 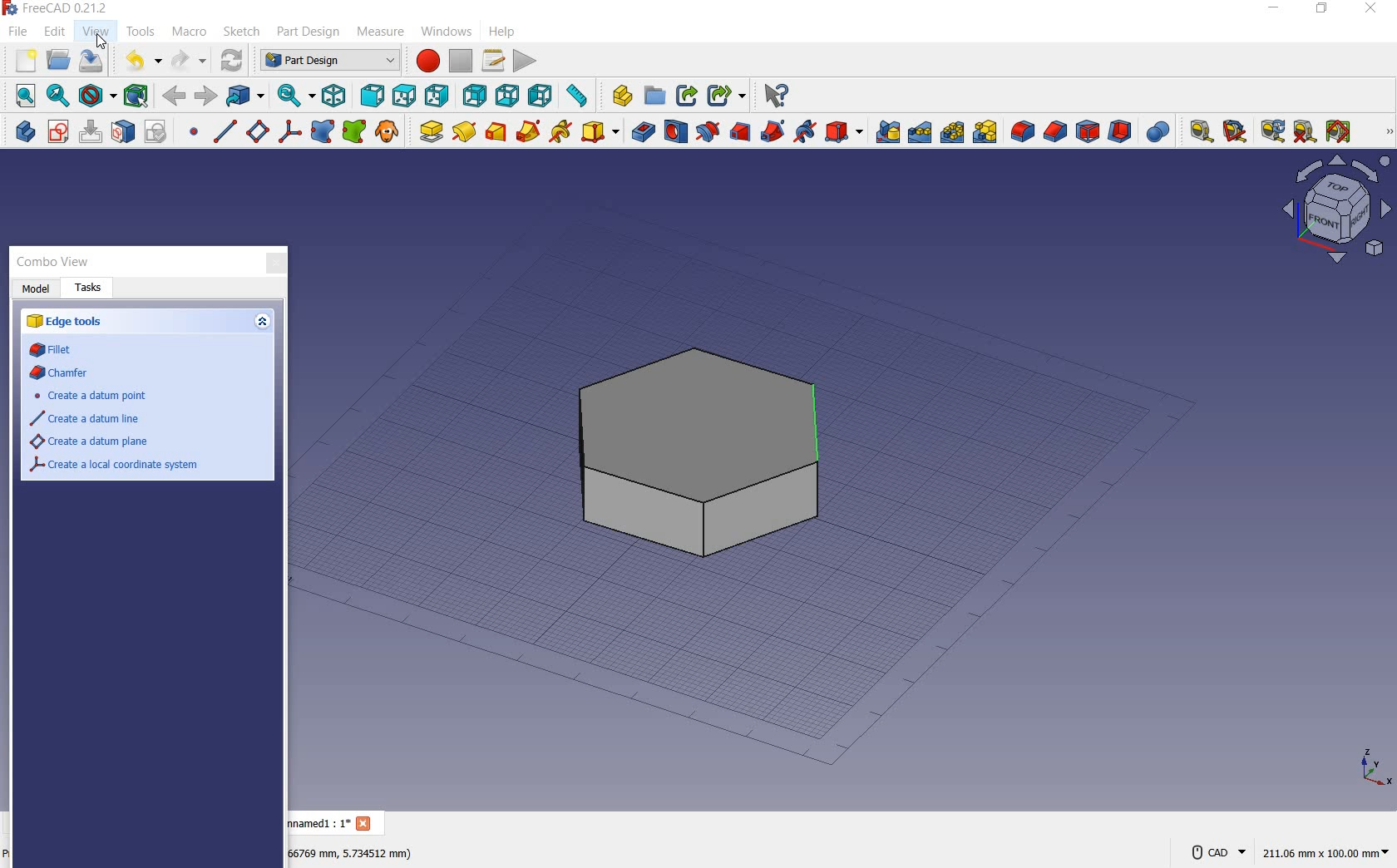 What do you see at coordinates (240, 32) in the screenshot?
I see `sketch` at bounding box center [240, 32].